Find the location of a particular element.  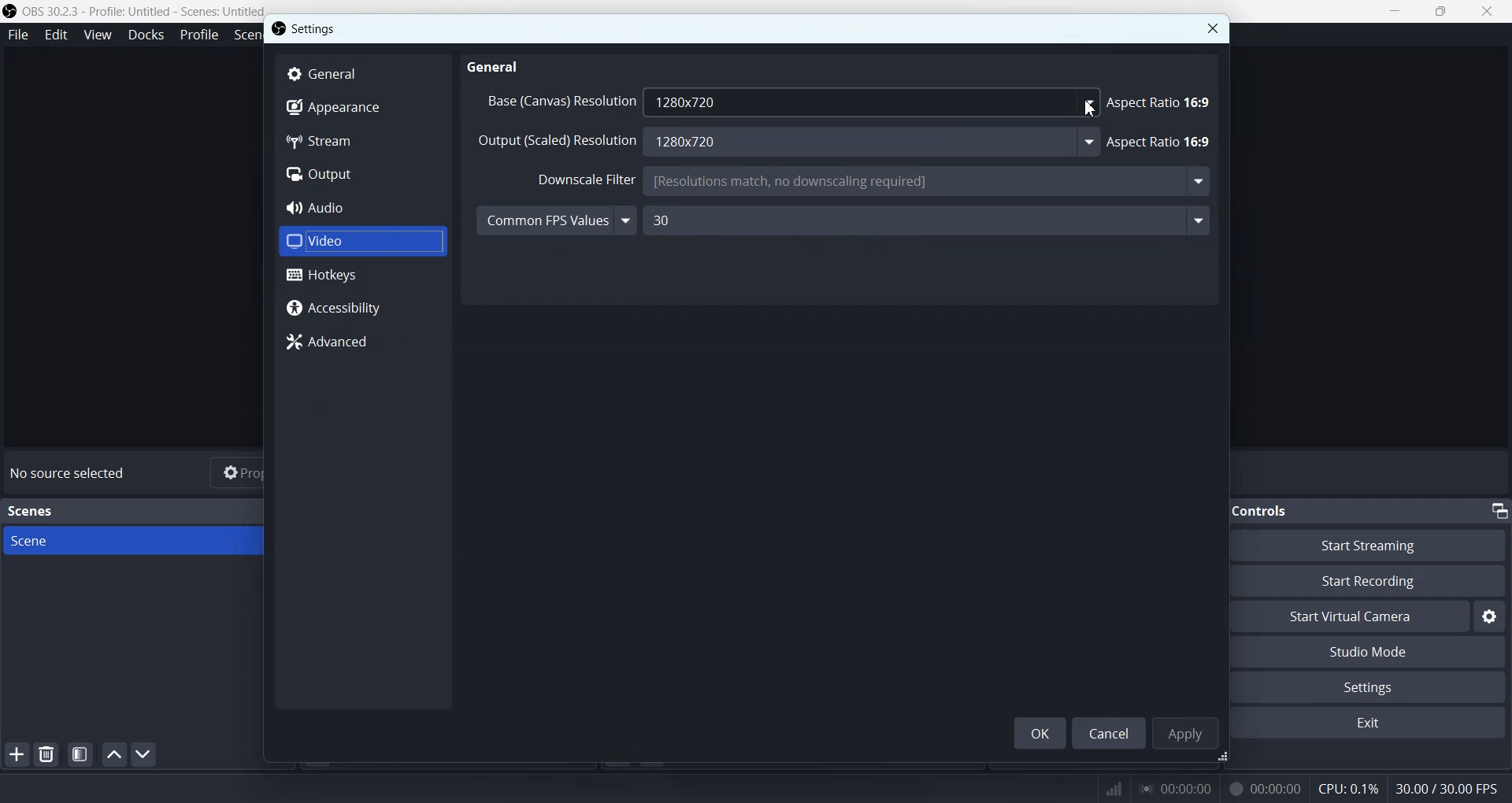

Start Recording is located at coordinates (1383, 581).